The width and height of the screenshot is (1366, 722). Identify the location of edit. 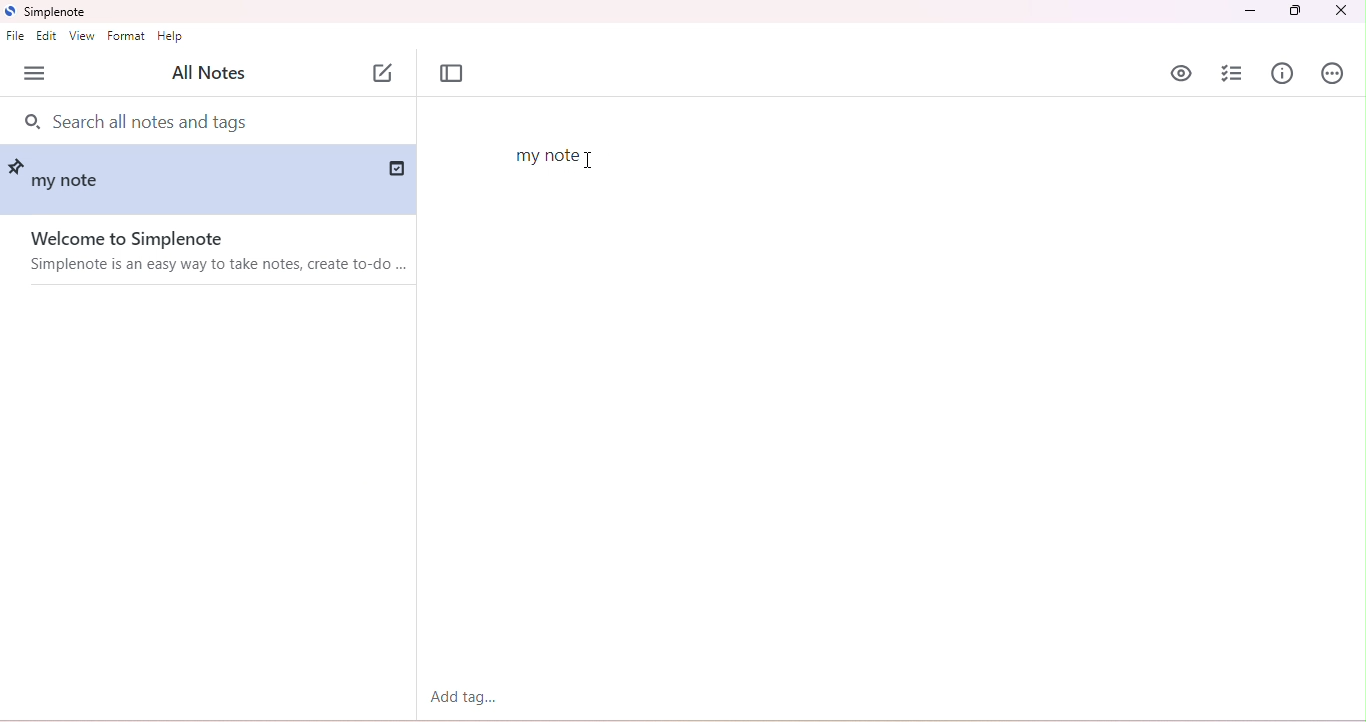
(48, 35).